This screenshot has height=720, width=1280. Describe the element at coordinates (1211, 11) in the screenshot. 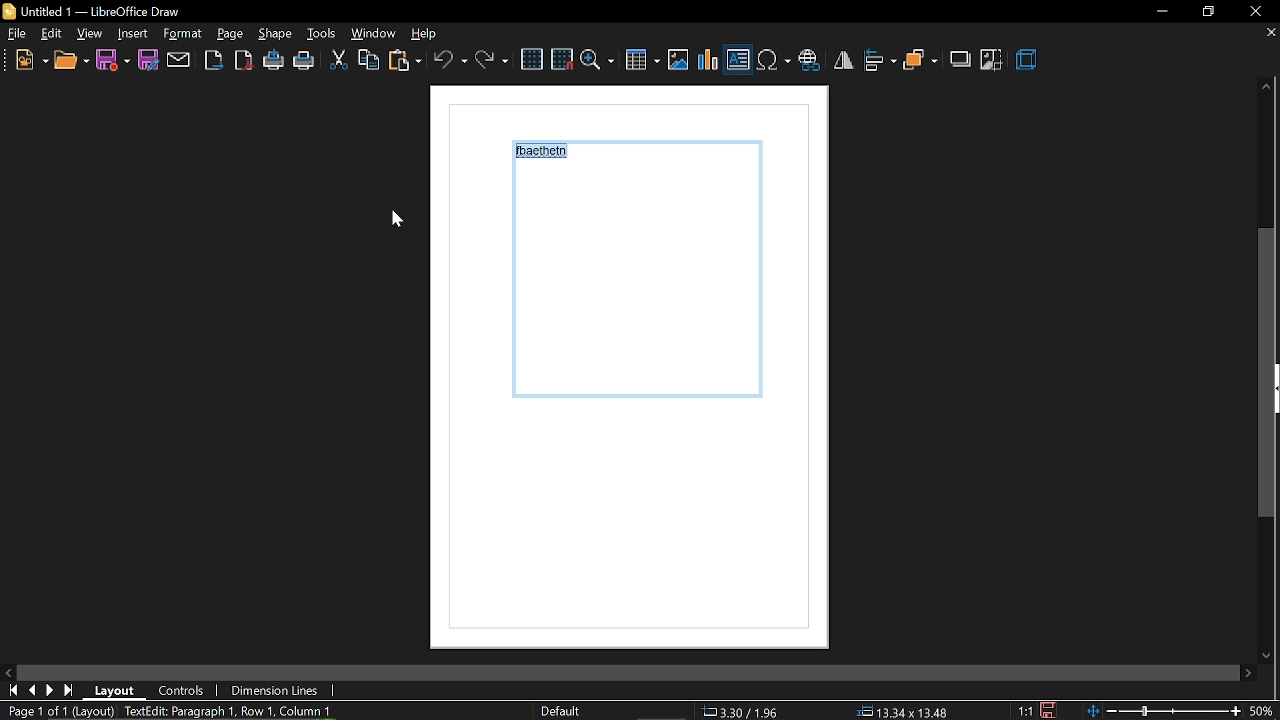

I see `restore down` at that location.